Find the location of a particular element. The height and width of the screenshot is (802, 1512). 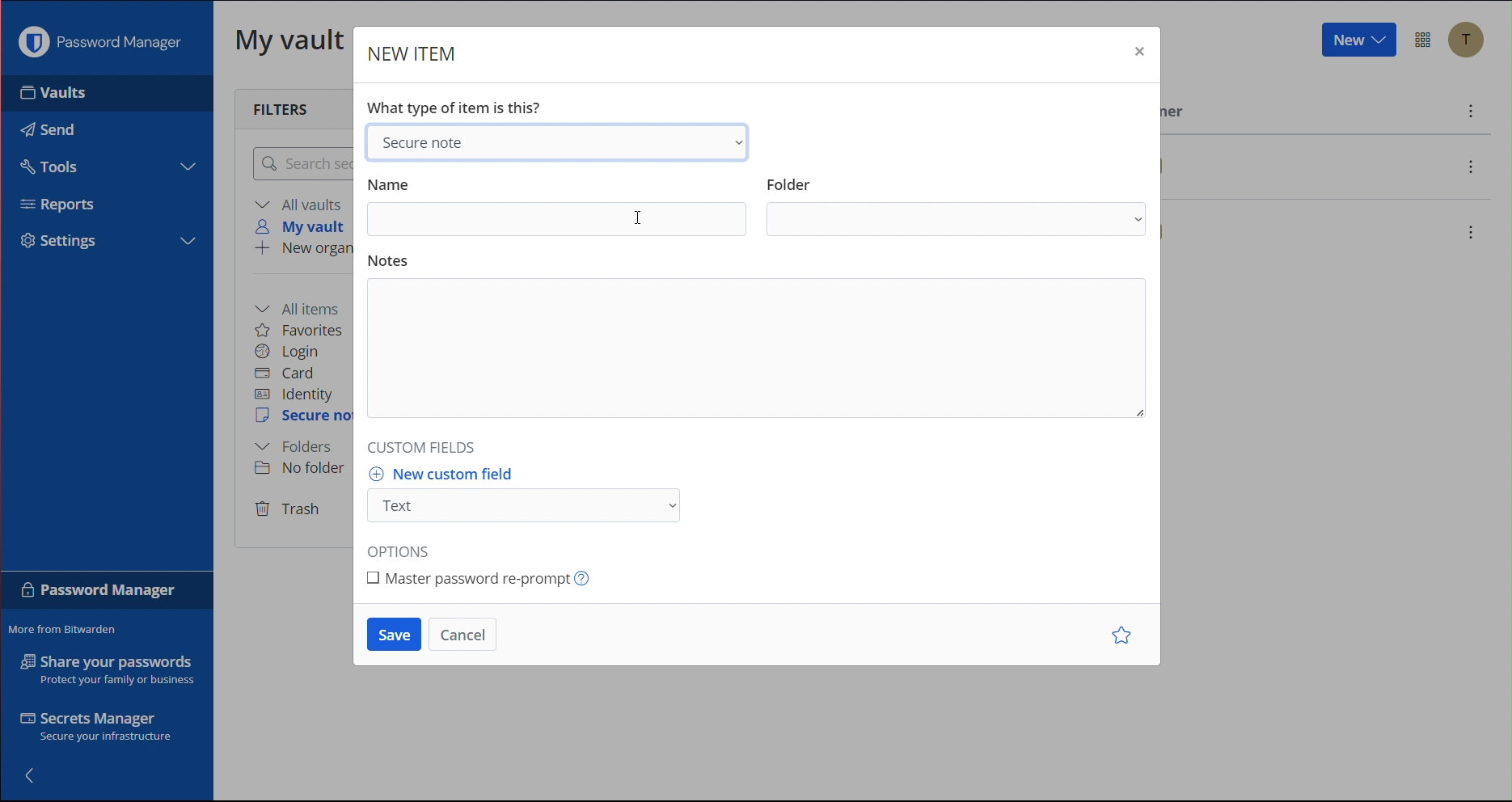

All items is located at coordinates (305, 305).